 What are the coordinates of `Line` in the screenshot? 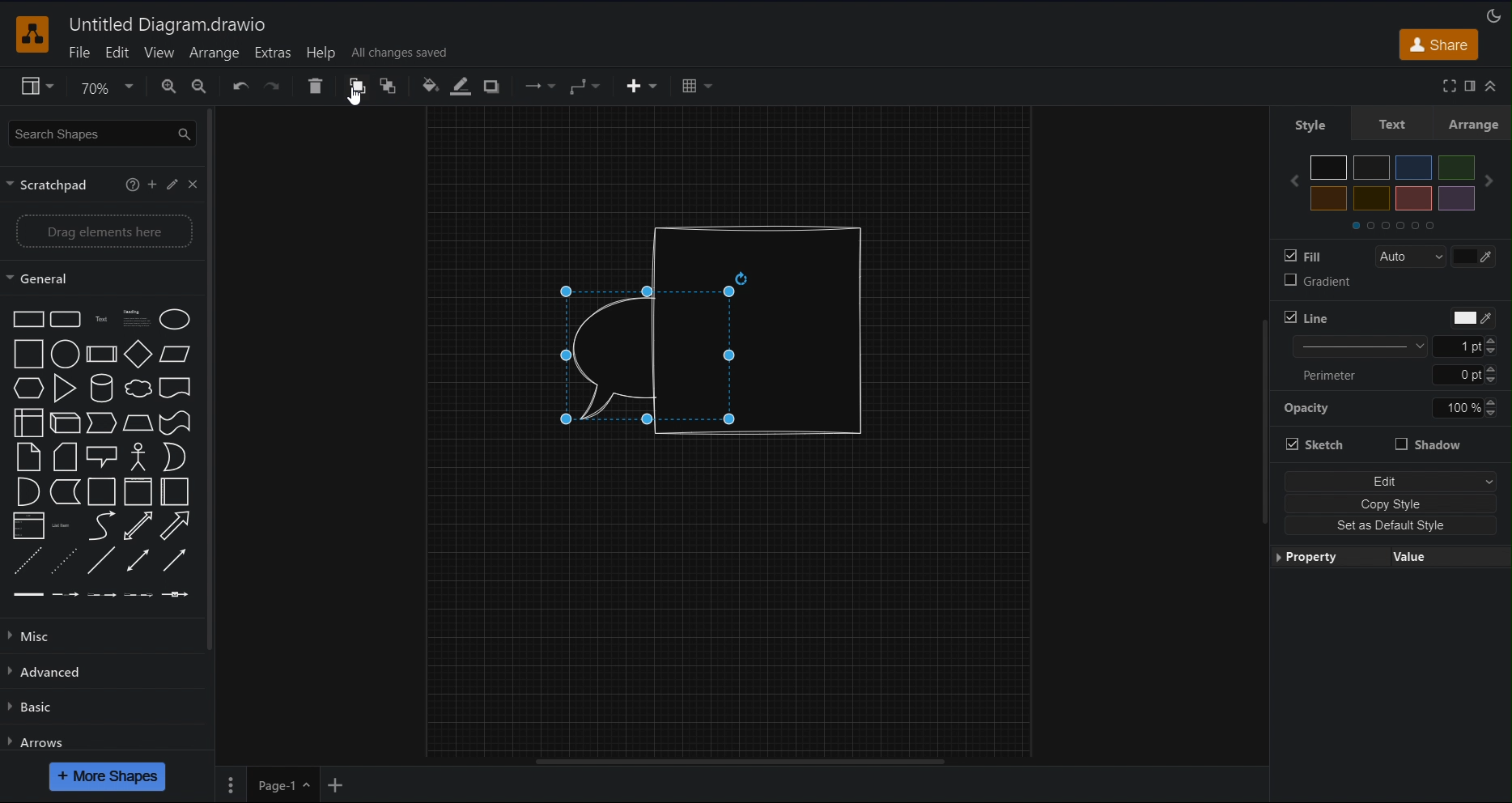 It's located at (1306, 317).